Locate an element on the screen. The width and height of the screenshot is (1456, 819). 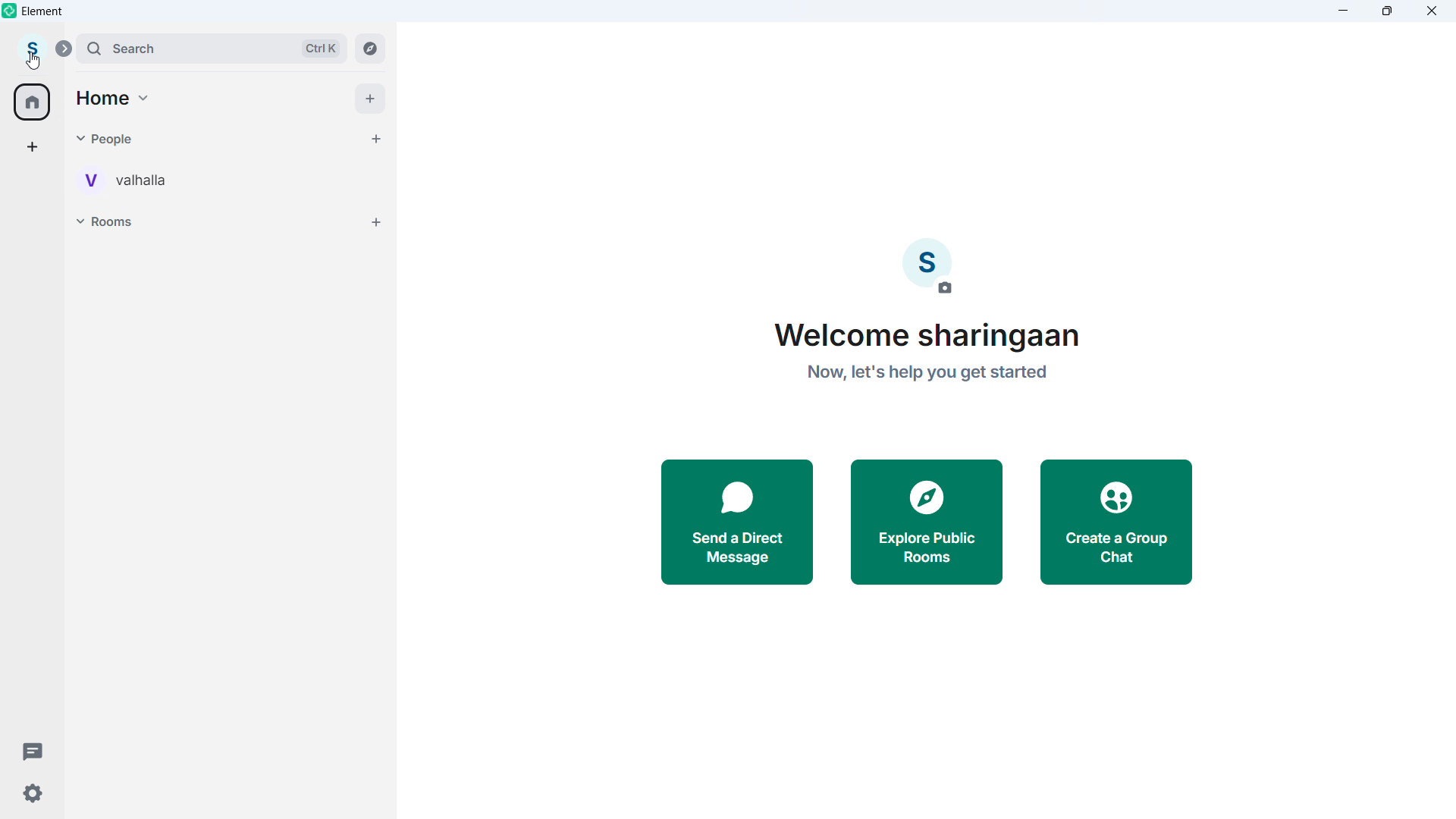
Add rooms  is located at coordinates (378, 222).